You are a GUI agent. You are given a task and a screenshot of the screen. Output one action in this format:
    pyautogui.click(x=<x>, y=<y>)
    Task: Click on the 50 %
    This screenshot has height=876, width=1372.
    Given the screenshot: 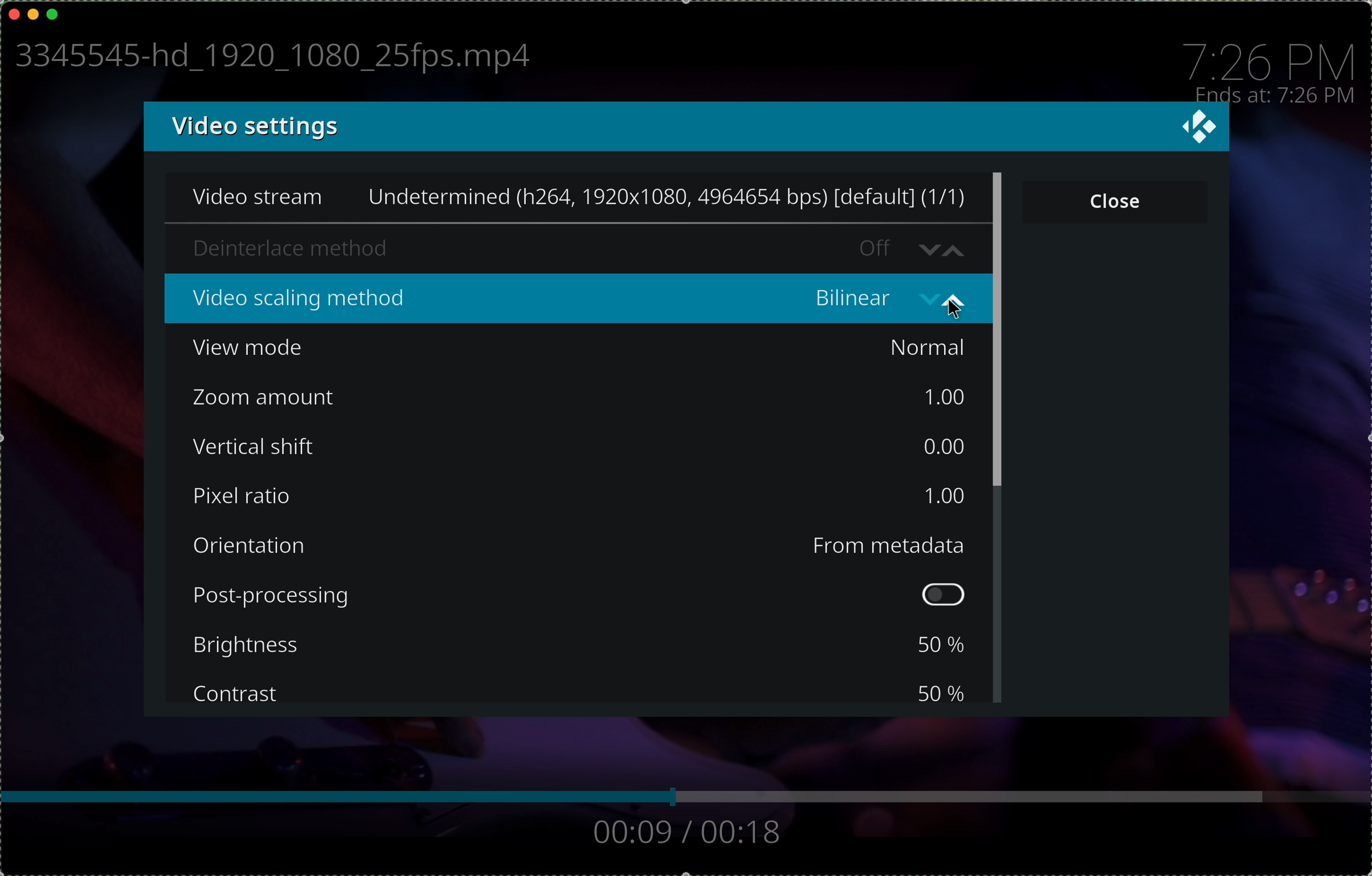 What is the action you would take?
    pyautogui.click(x=939, y=645)
    